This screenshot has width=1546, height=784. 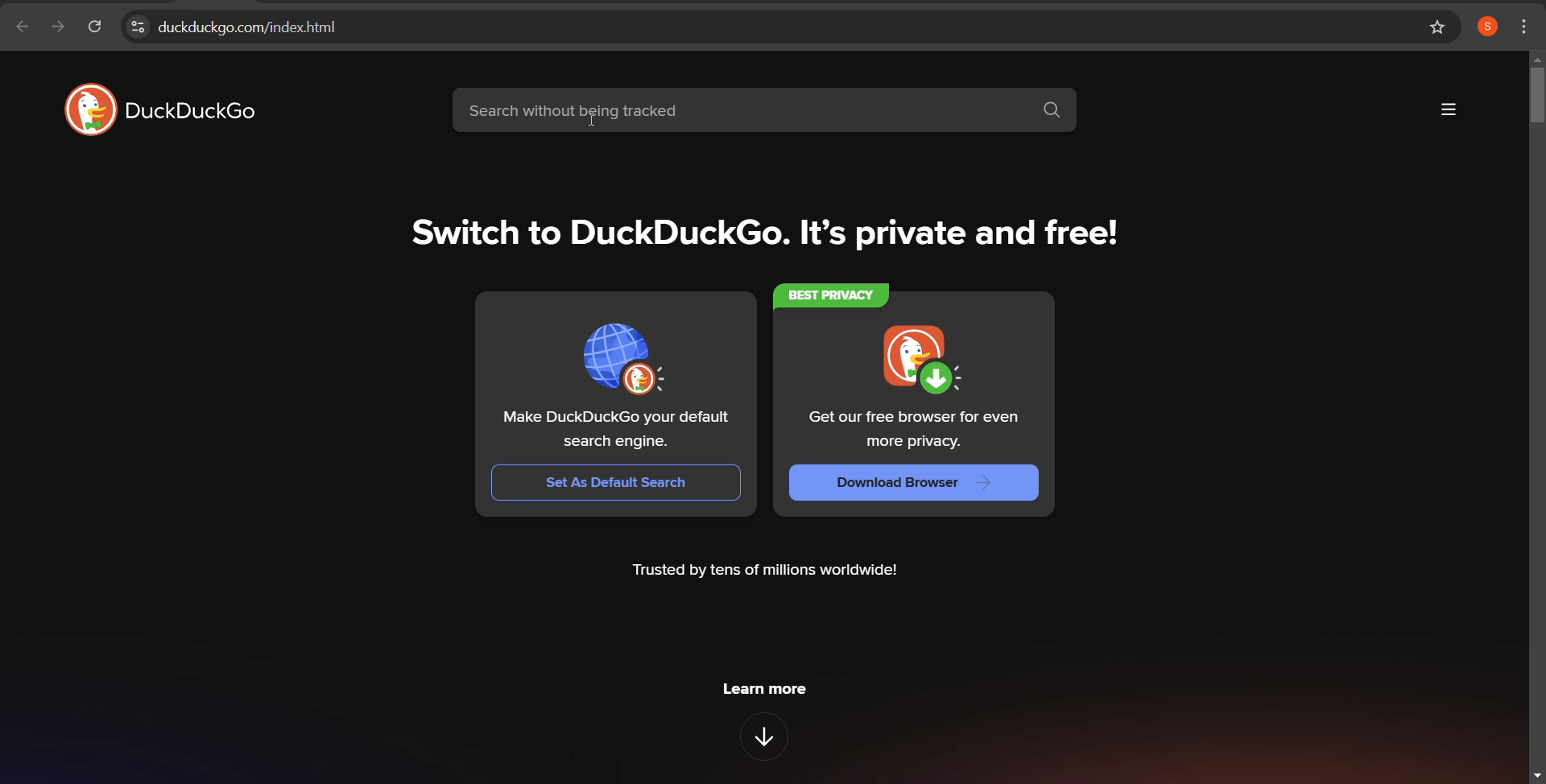 What do you see at coordinates (924, 430) in the screenshot?
I see `Get our free browser for even more privacy. ` at bounding box center [924, 430].